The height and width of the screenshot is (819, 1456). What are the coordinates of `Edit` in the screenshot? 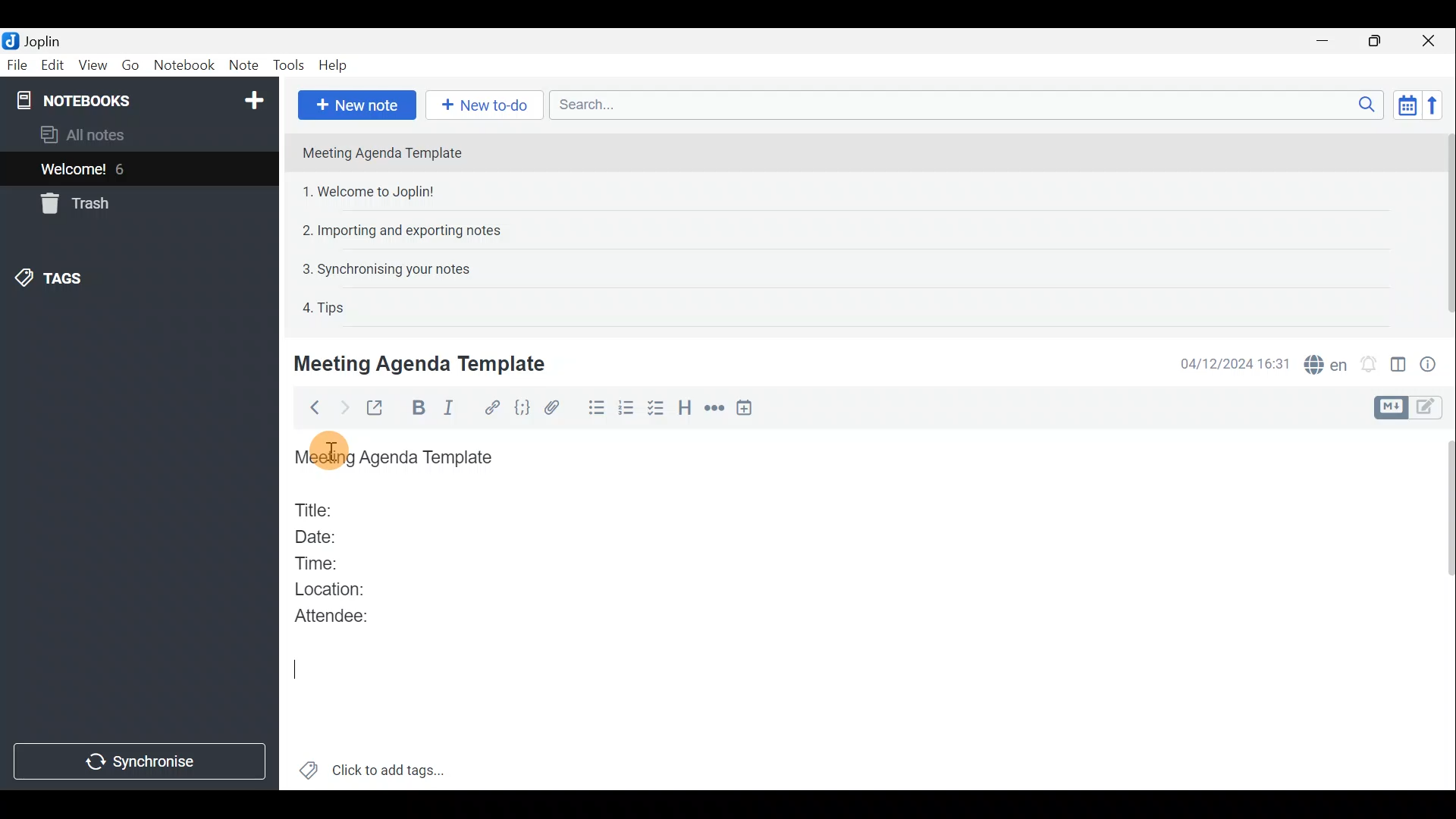 It's located at (53, 67).